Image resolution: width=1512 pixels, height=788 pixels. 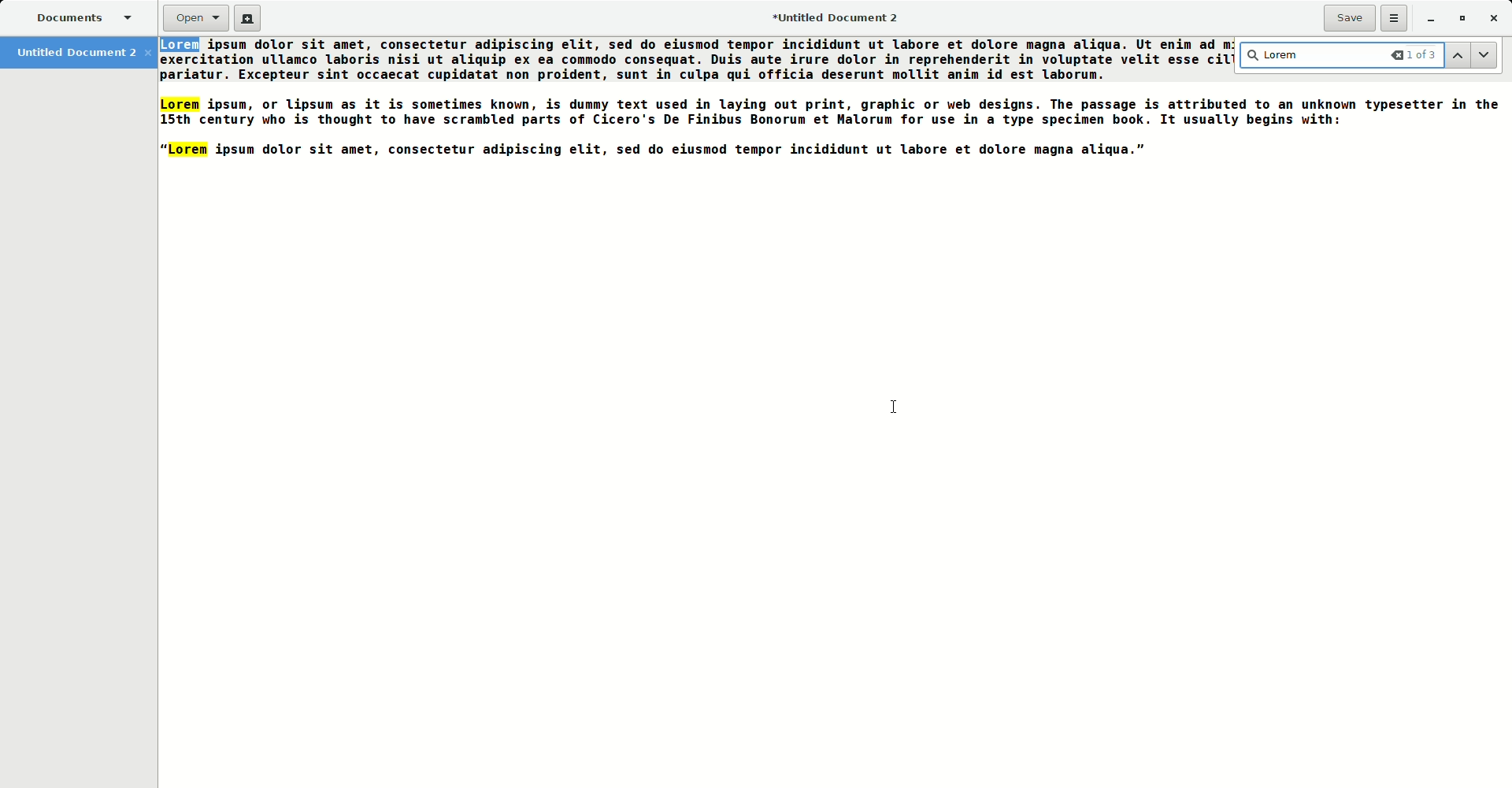 What do you see at coordinates (1347, 16) in the screenshot?
I see `Save` at bounding box center [1347, 16].